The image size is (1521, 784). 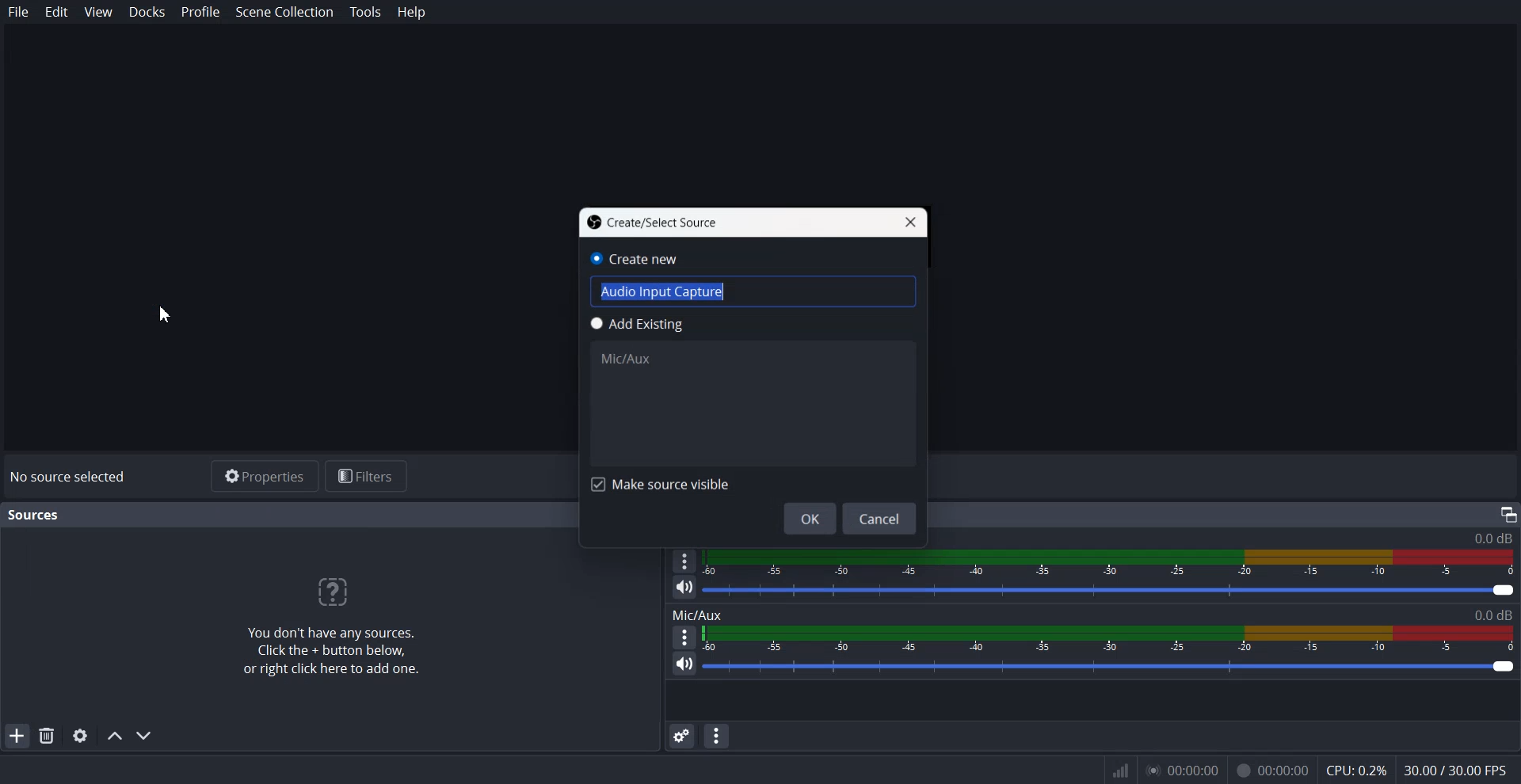 I want to click on 0.0 db, so click(x=1492, y=539).